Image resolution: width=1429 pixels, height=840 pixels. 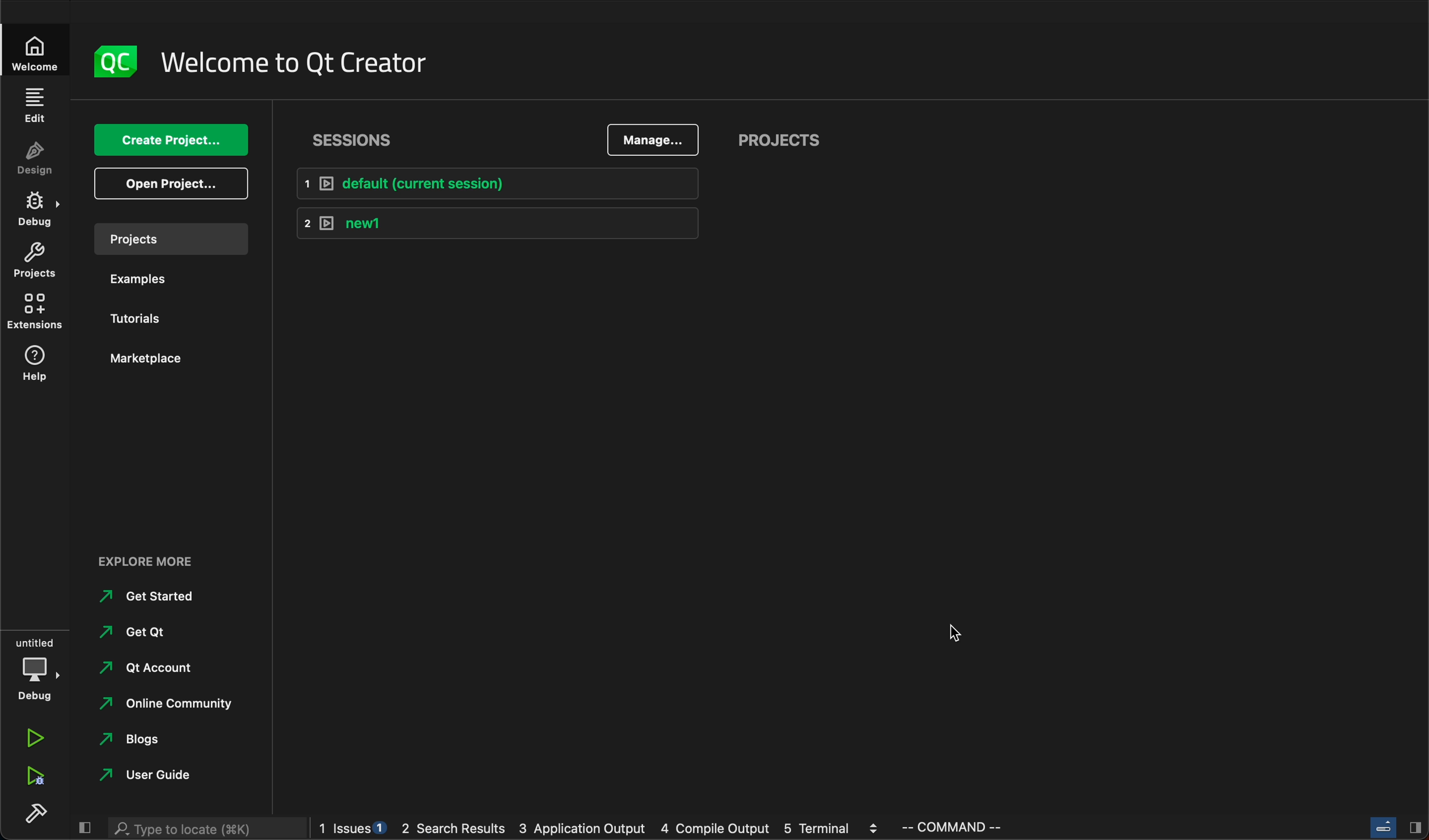 I want to click on cursor, so click(x=953, y=635).